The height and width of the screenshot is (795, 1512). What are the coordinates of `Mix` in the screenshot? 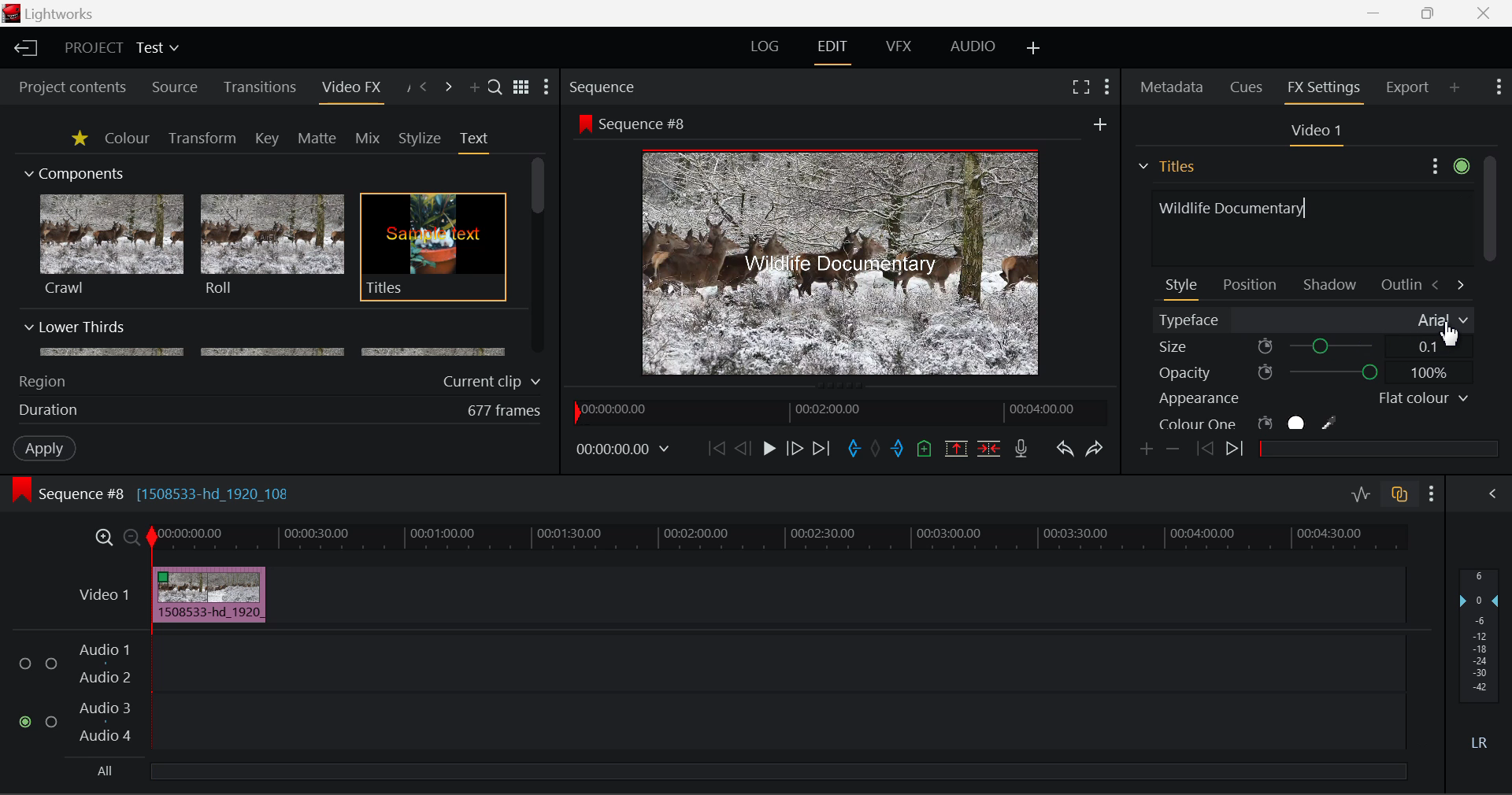 It's located at (367, 139).